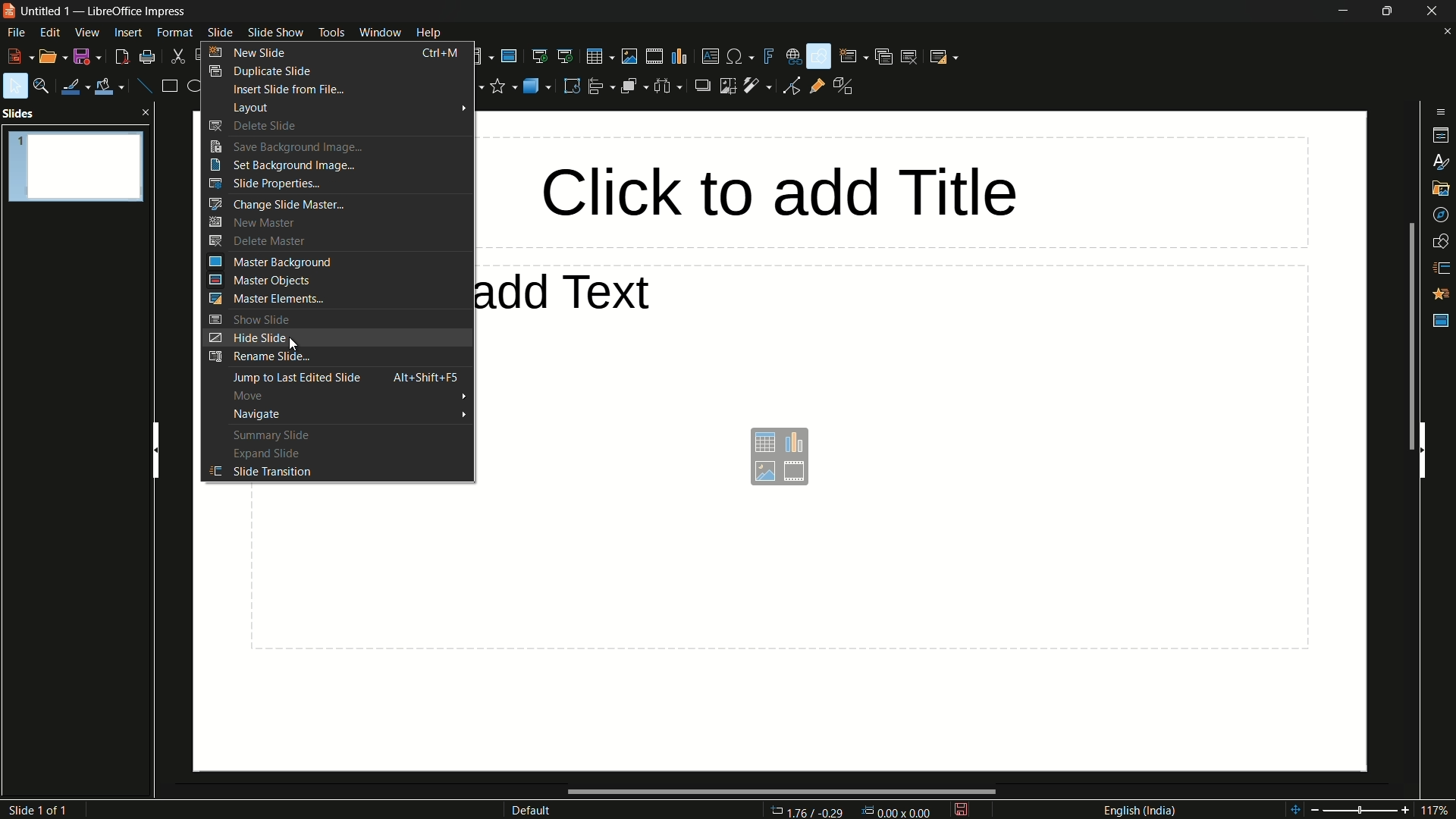 The height and width of the screenshot is (819, 1456). I want to click on scroll bar, so click(1411, 337).